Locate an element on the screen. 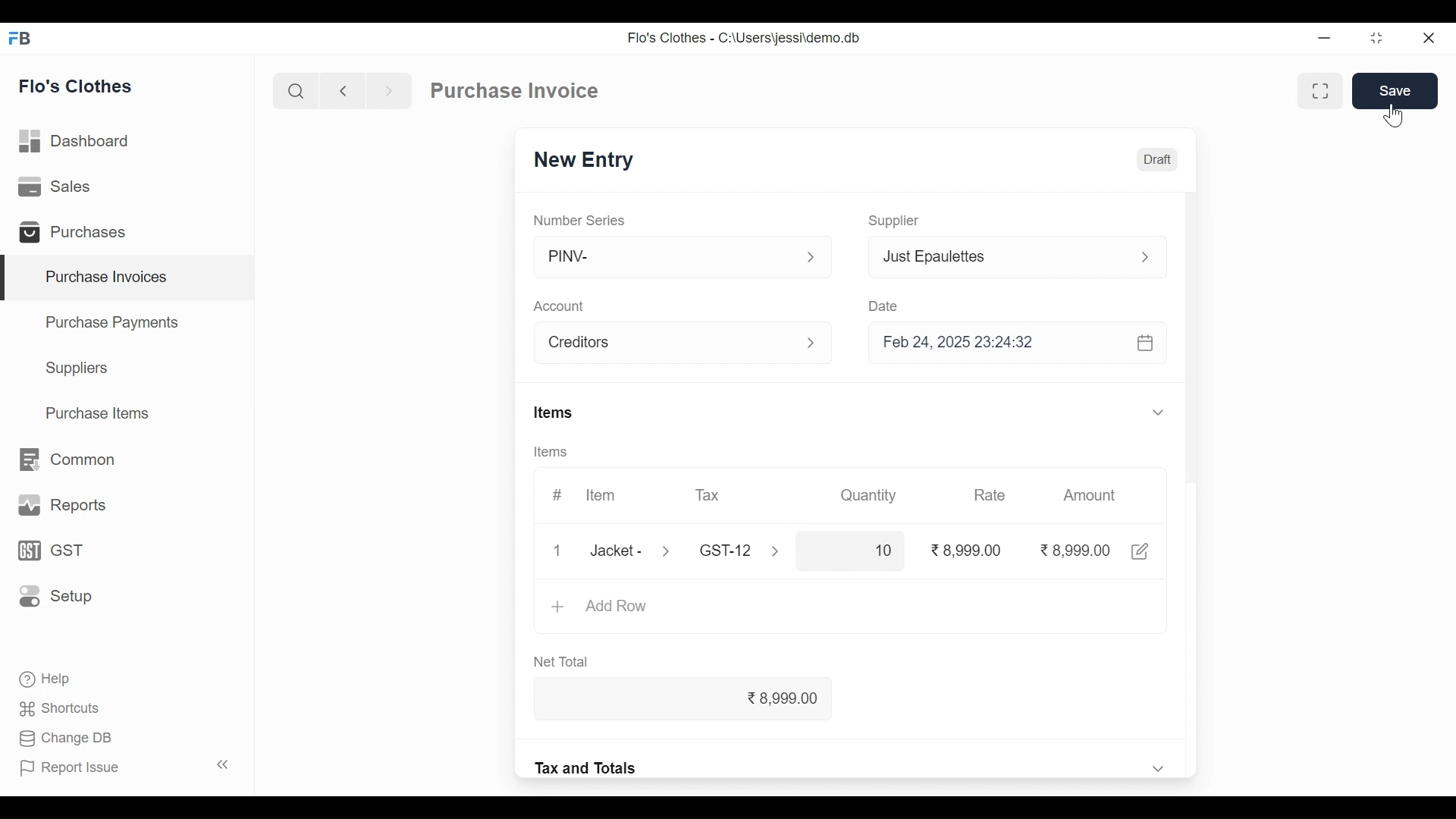 The width and height of the screenshot is (1456, 819). Navigate back is located at coordinates (340, 91).